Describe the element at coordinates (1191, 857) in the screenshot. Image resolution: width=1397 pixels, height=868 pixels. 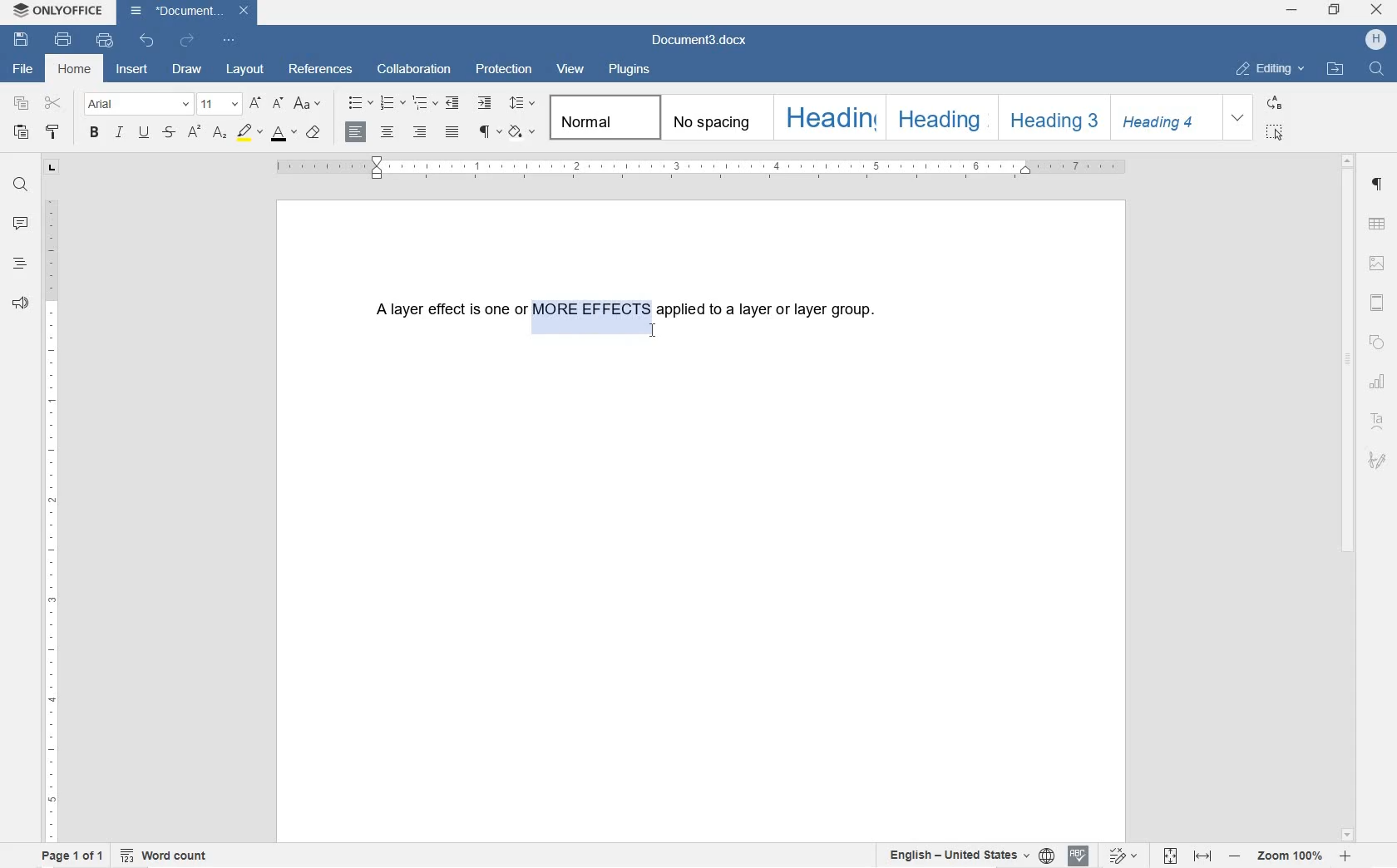
I see `FIT TO PAGE/WIDTH` at that location.